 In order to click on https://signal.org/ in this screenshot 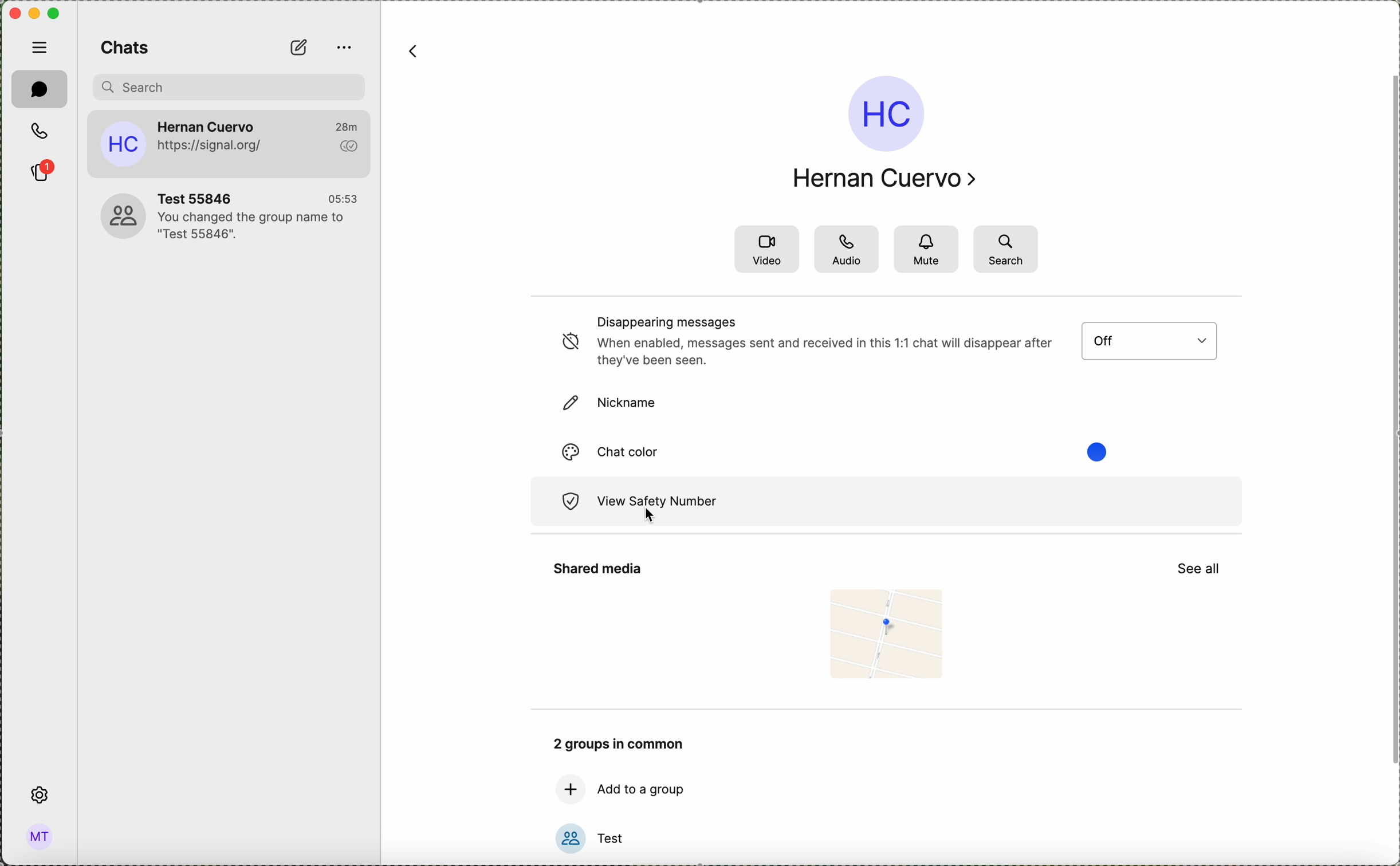, I will do `click(214, 146)`.